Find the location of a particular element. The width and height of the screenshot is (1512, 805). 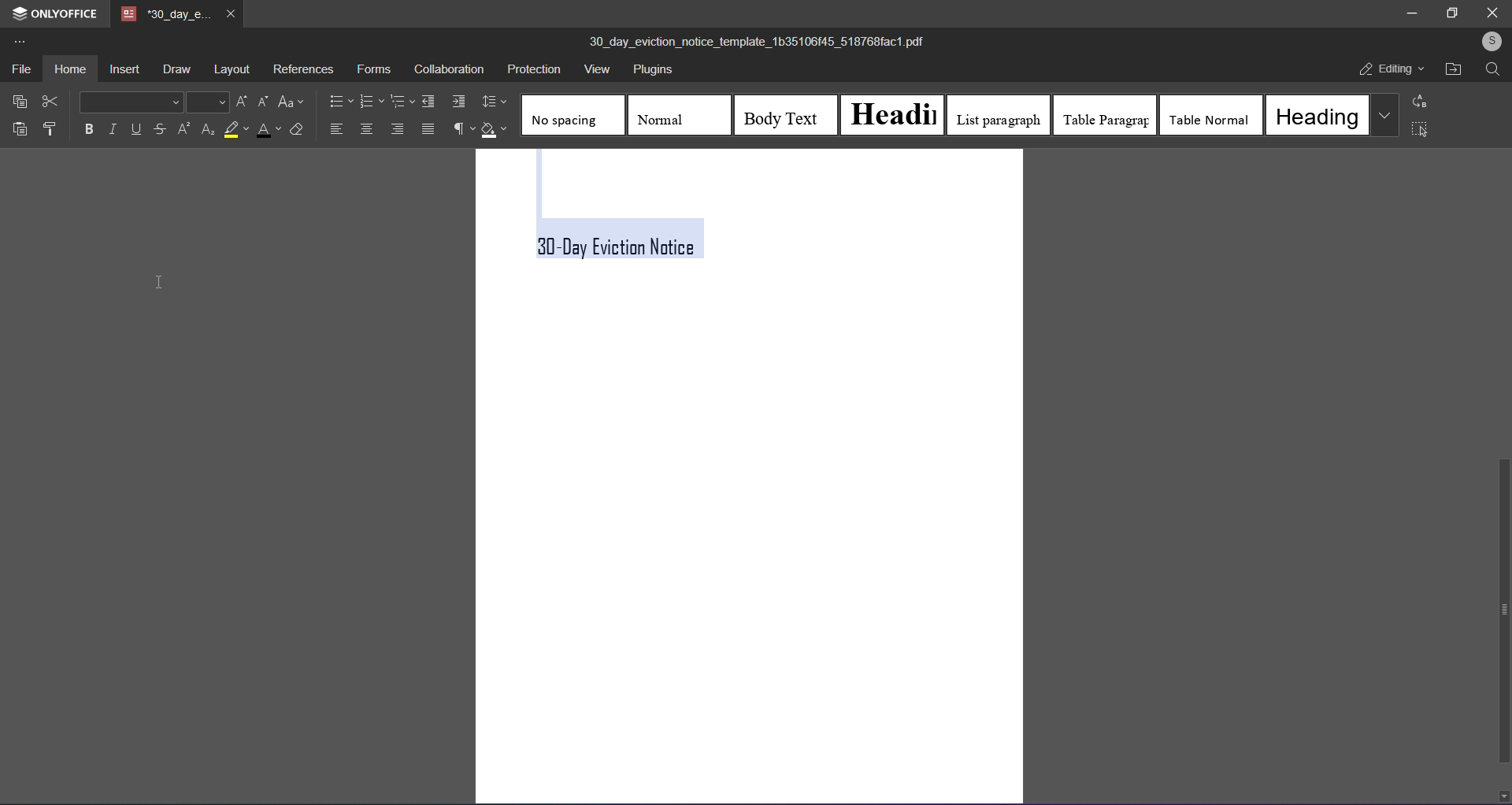

paste is located at coordinates (19, 127).